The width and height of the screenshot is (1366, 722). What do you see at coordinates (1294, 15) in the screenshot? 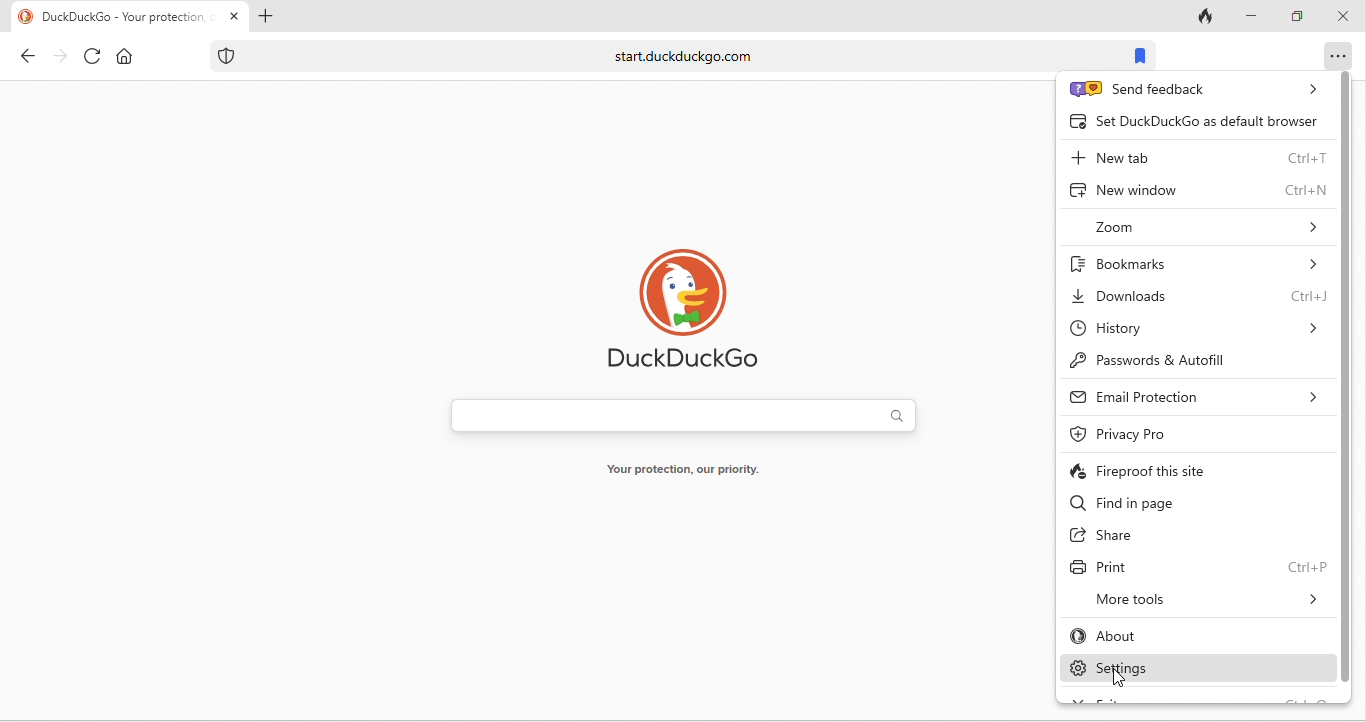
I see `maximize` at bounding box center [1294, 15].